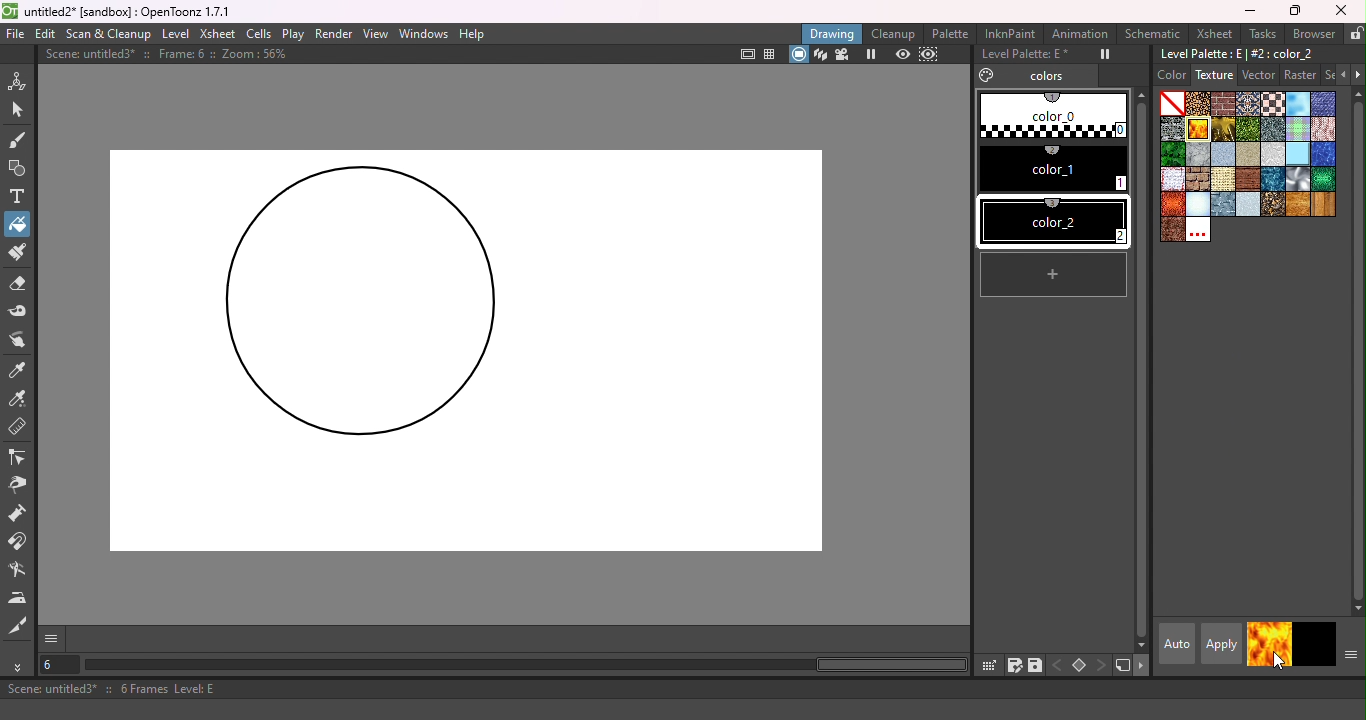 The image size is (1366, 720). I want to click on Brickwork.bmp, so click(1224, 103).